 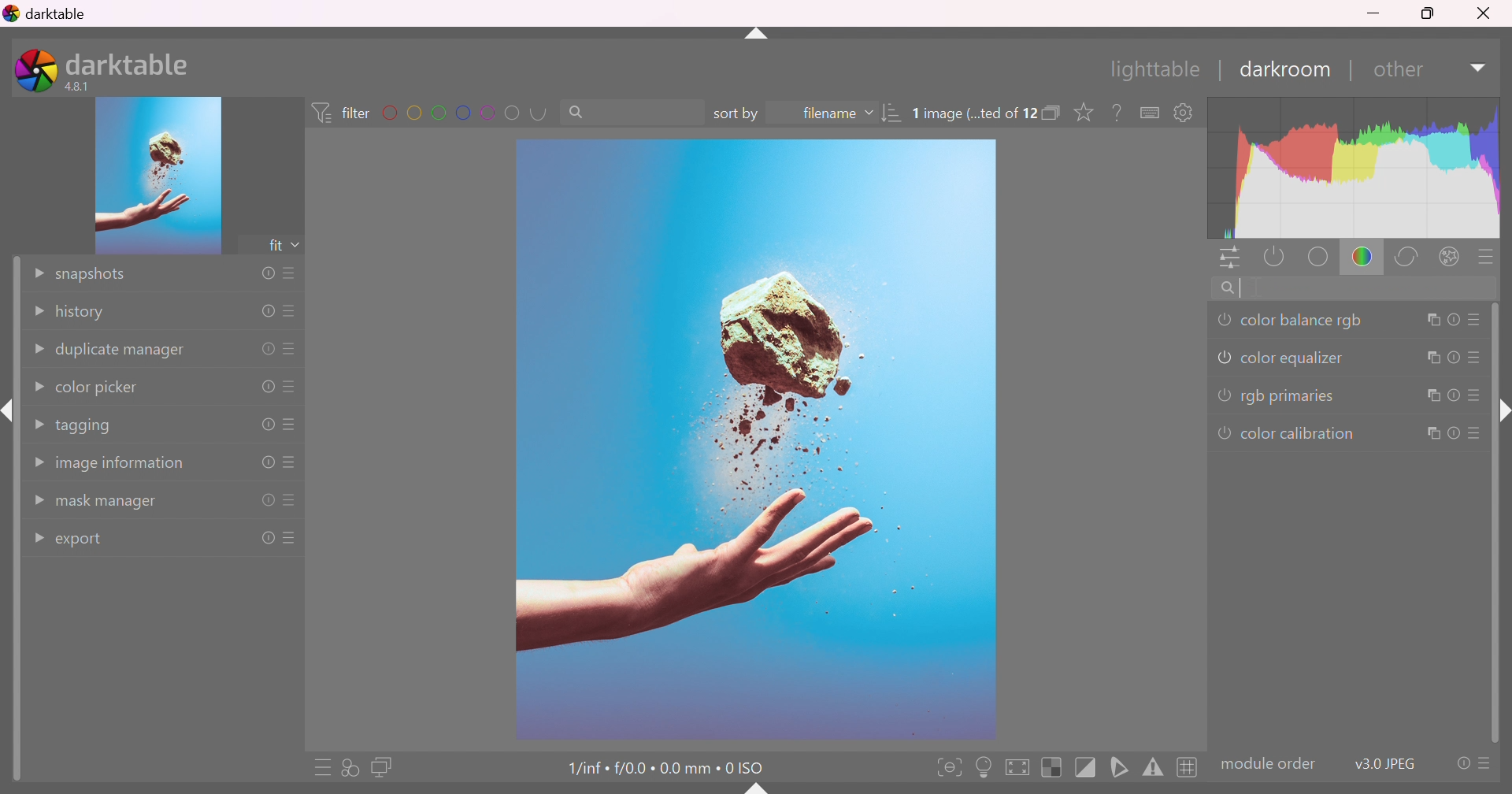 I want to click on Drop Down, so click(x=35, y=500).